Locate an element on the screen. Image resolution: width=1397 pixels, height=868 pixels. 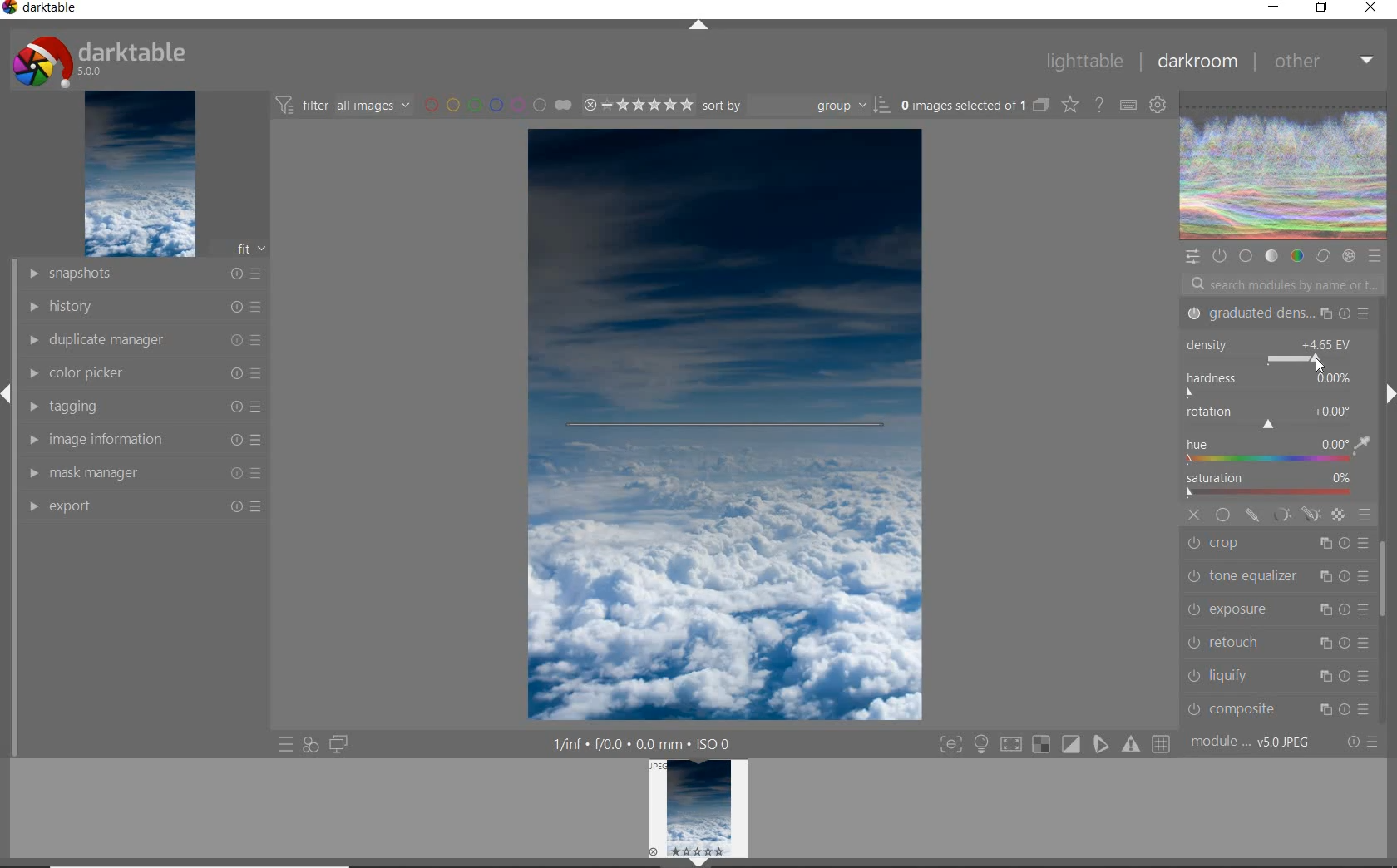
MASKING OPTIONS is located at coordinates (1295, 515).